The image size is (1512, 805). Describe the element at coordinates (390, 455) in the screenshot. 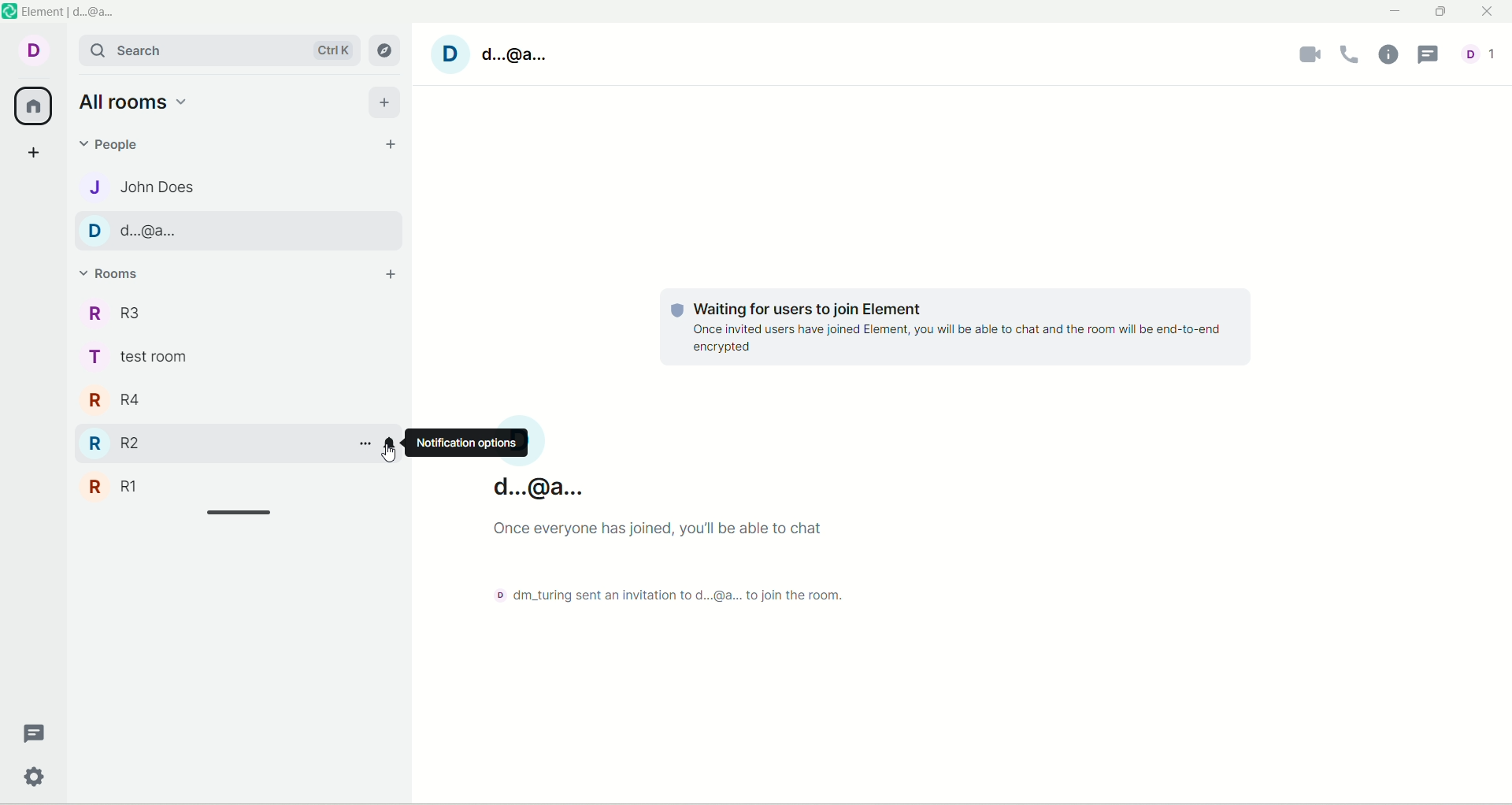

I see `cursor` at that location.